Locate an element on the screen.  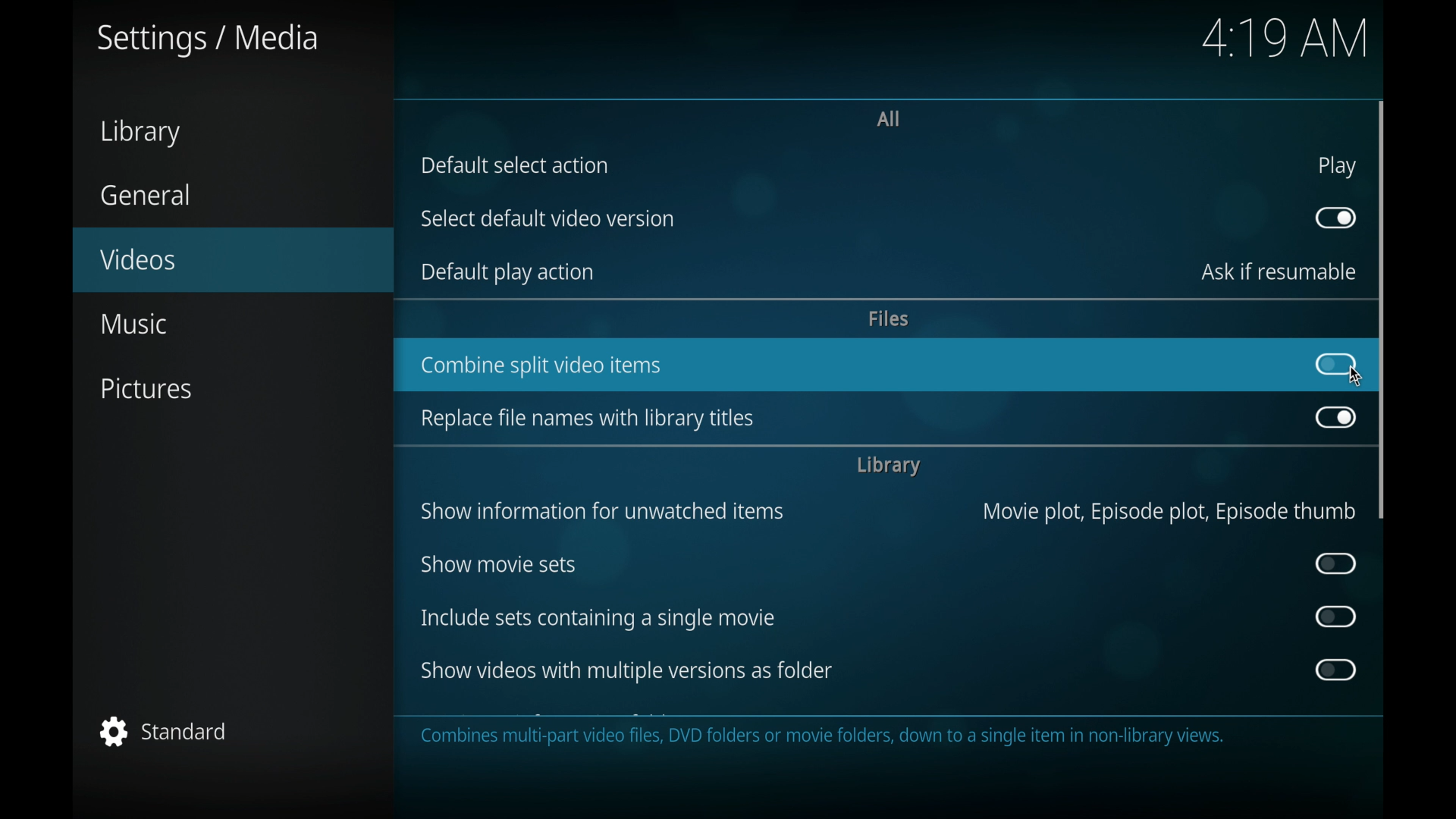
all is located at coordinates (889, 118).